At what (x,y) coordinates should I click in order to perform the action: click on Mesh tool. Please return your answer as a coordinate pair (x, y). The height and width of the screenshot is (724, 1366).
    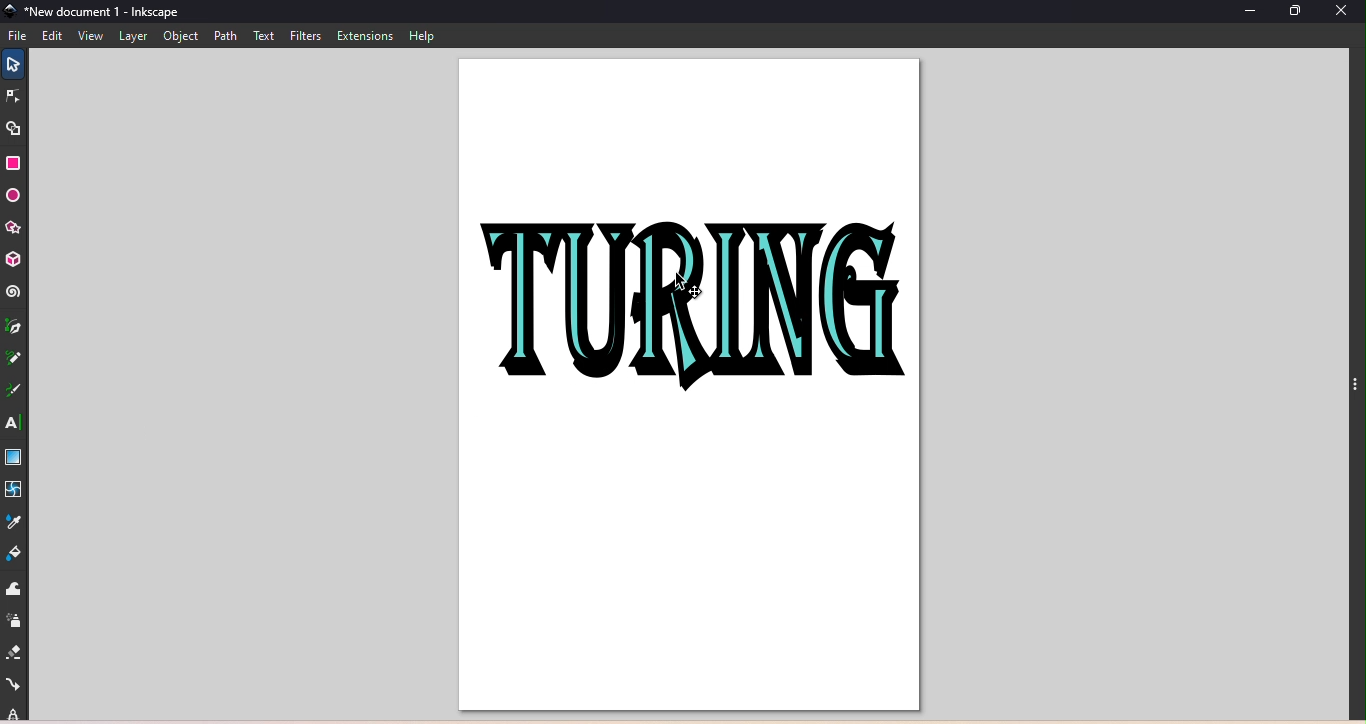
    Looking at the image, I should click on (16, 490).